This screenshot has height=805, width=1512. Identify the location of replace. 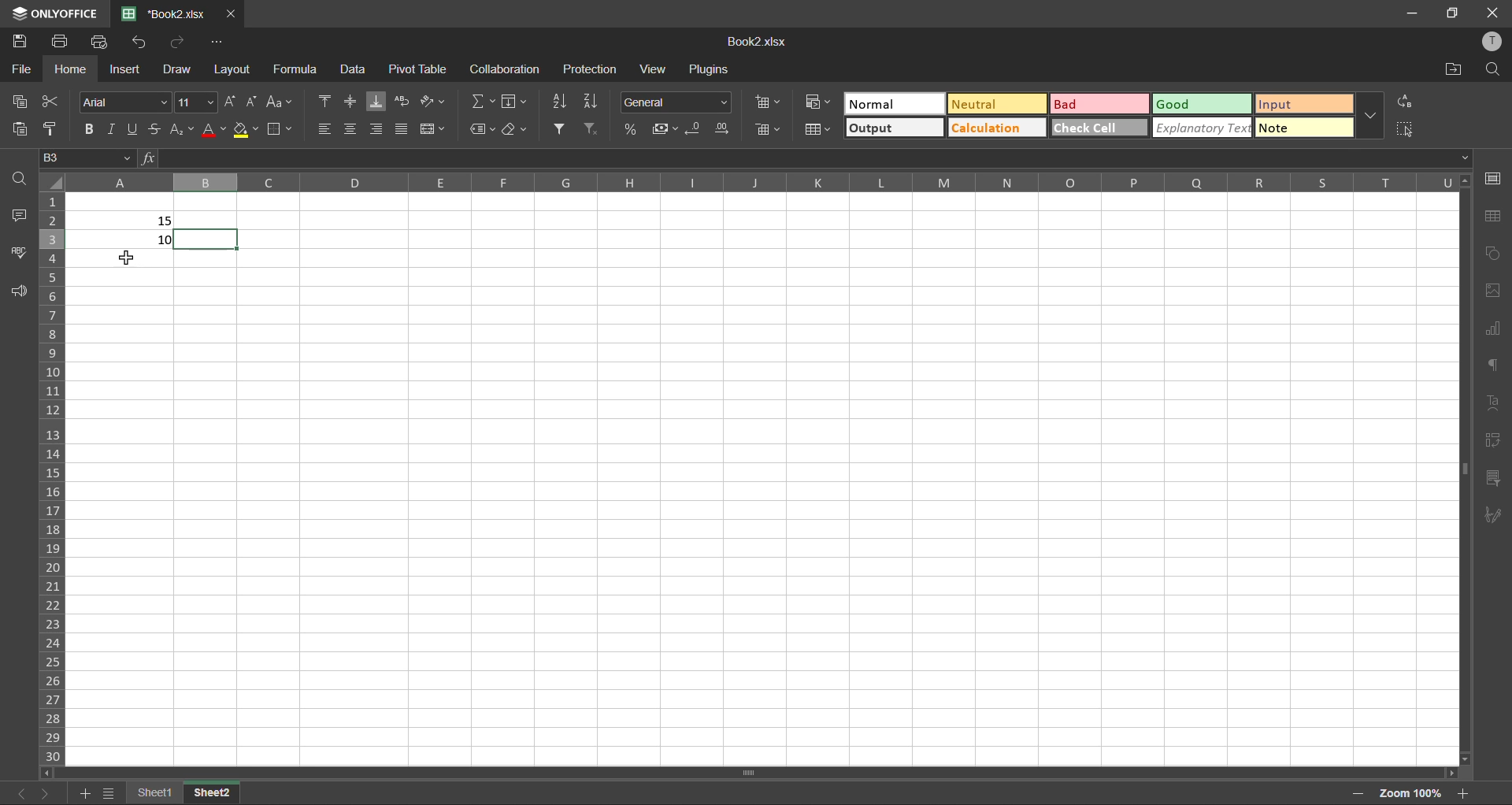
(1405, 101).